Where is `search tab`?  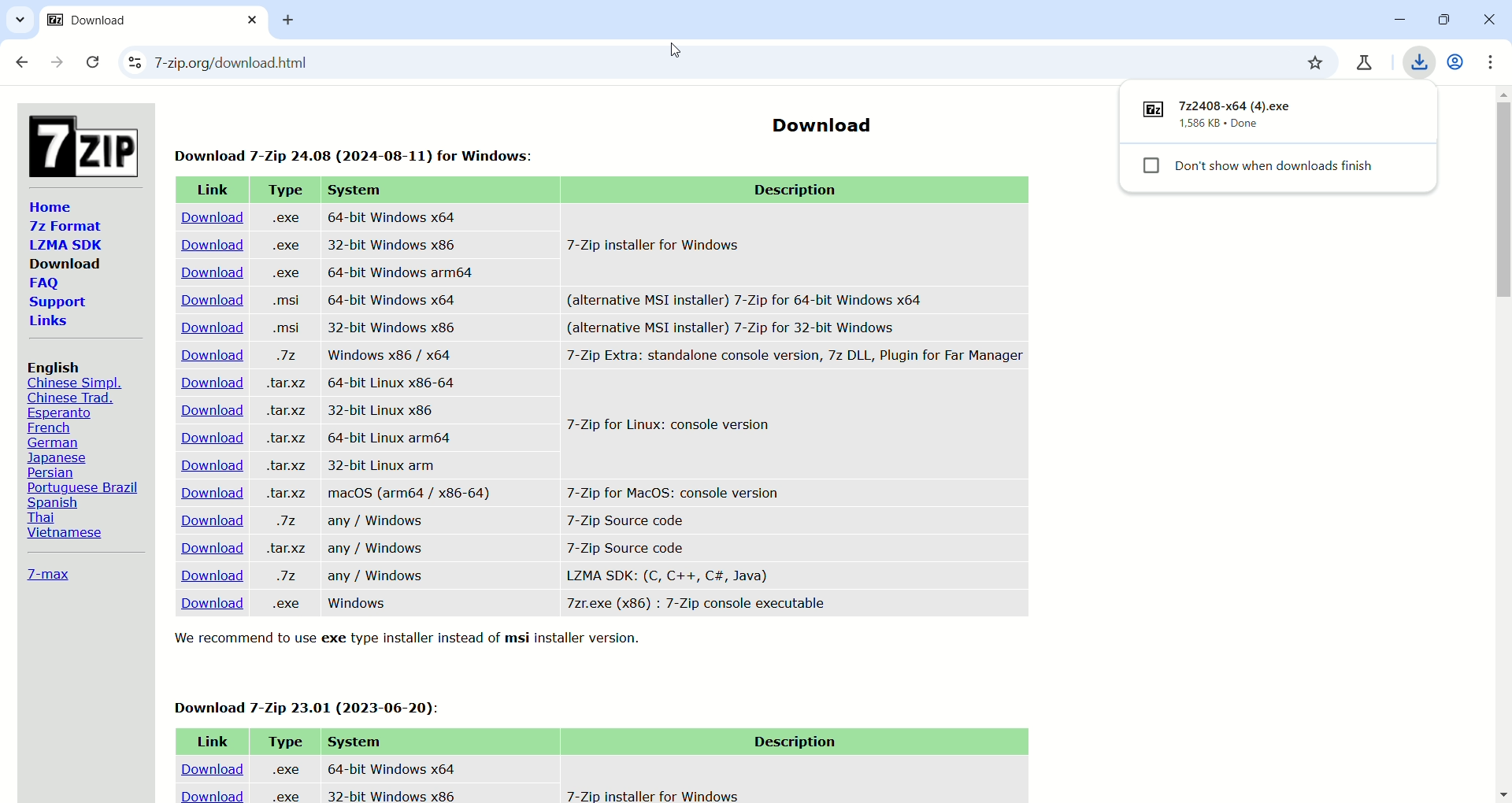 search tab is located at coordinates (20, 22).